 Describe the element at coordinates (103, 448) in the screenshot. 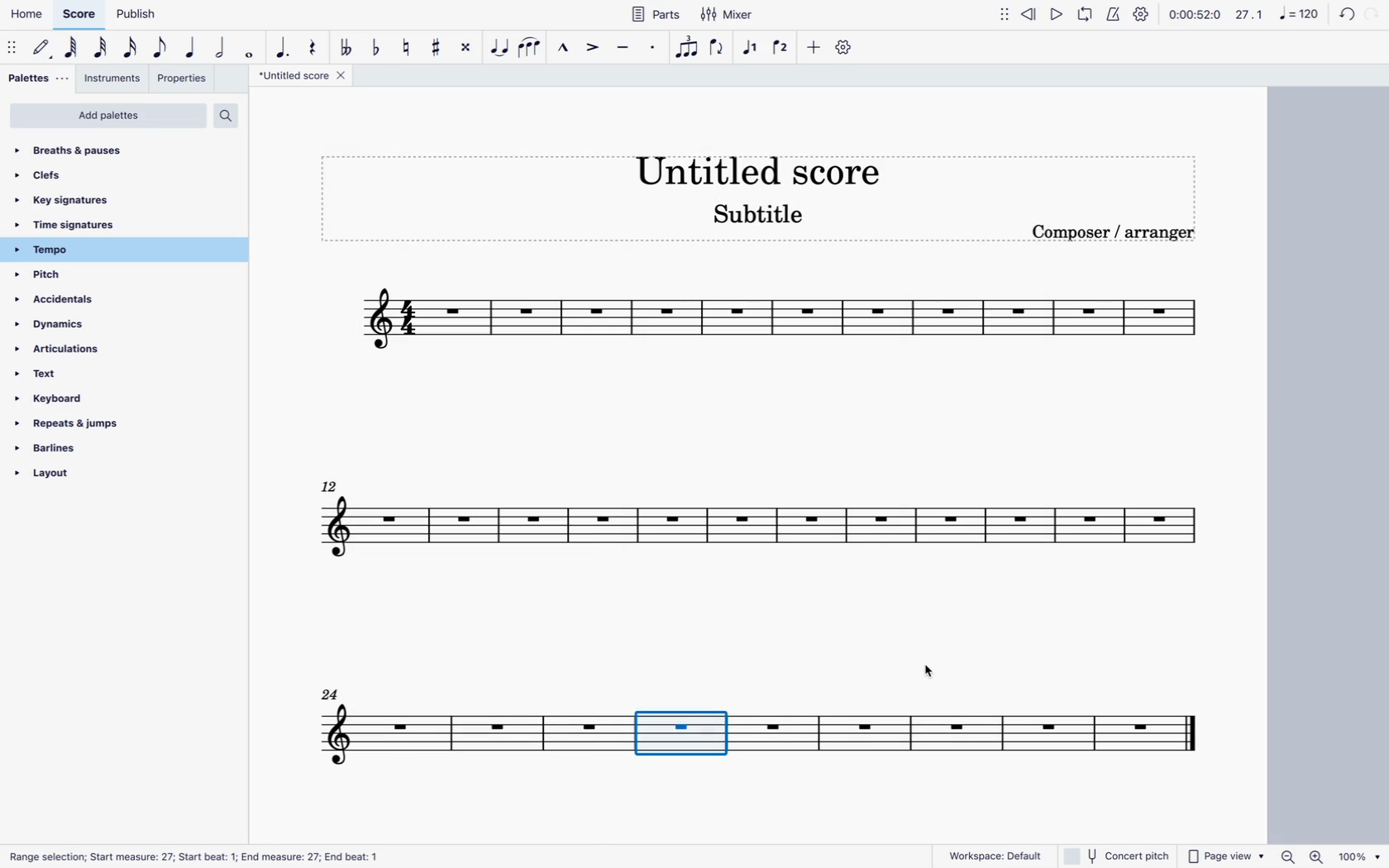

I see `barlines` at that location.